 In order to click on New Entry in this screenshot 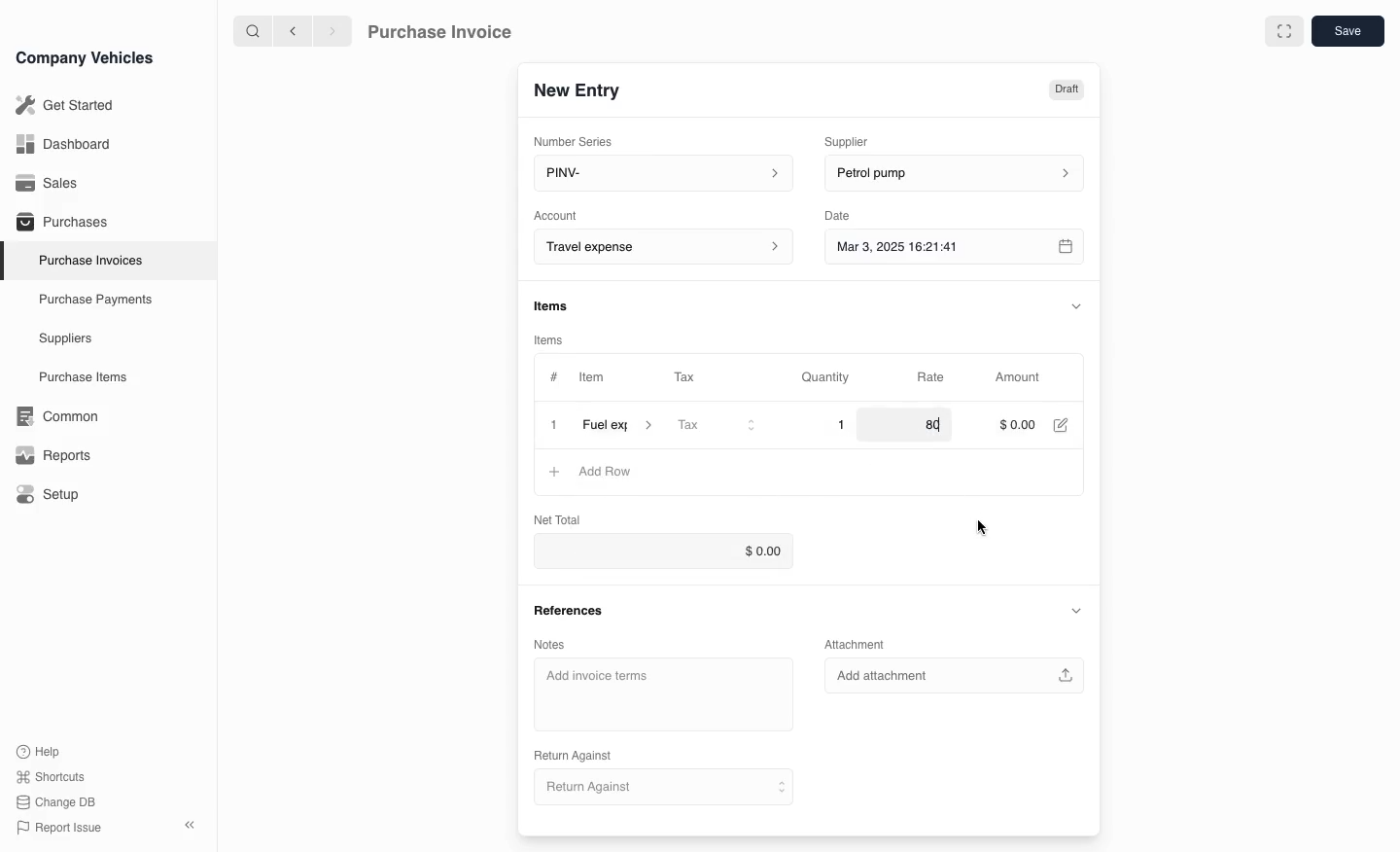, I will do `click(586, 89)`.